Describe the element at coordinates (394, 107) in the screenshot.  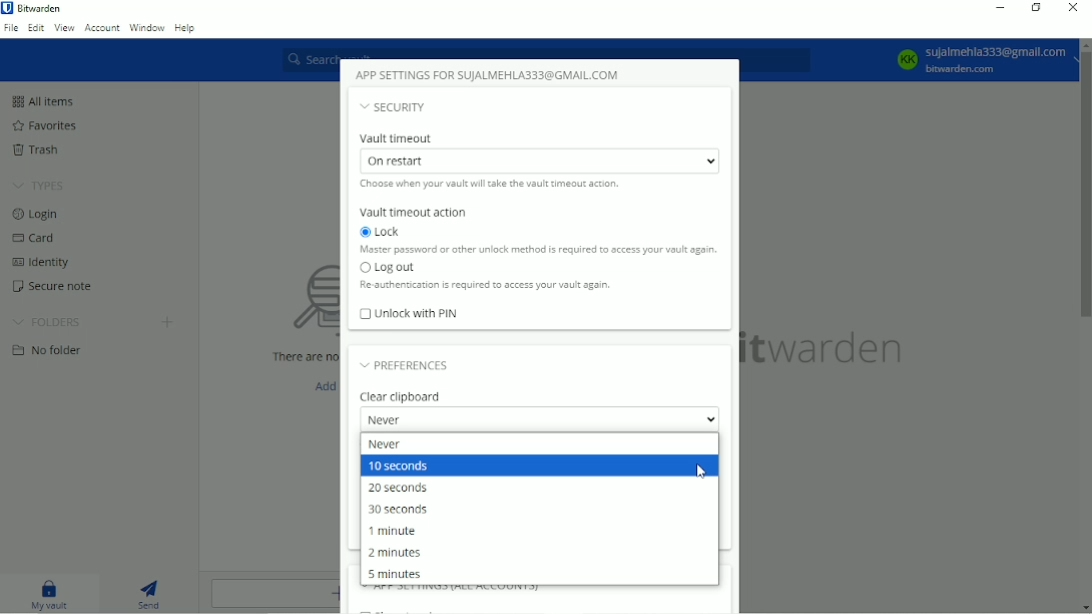
I see `Security` at that location.